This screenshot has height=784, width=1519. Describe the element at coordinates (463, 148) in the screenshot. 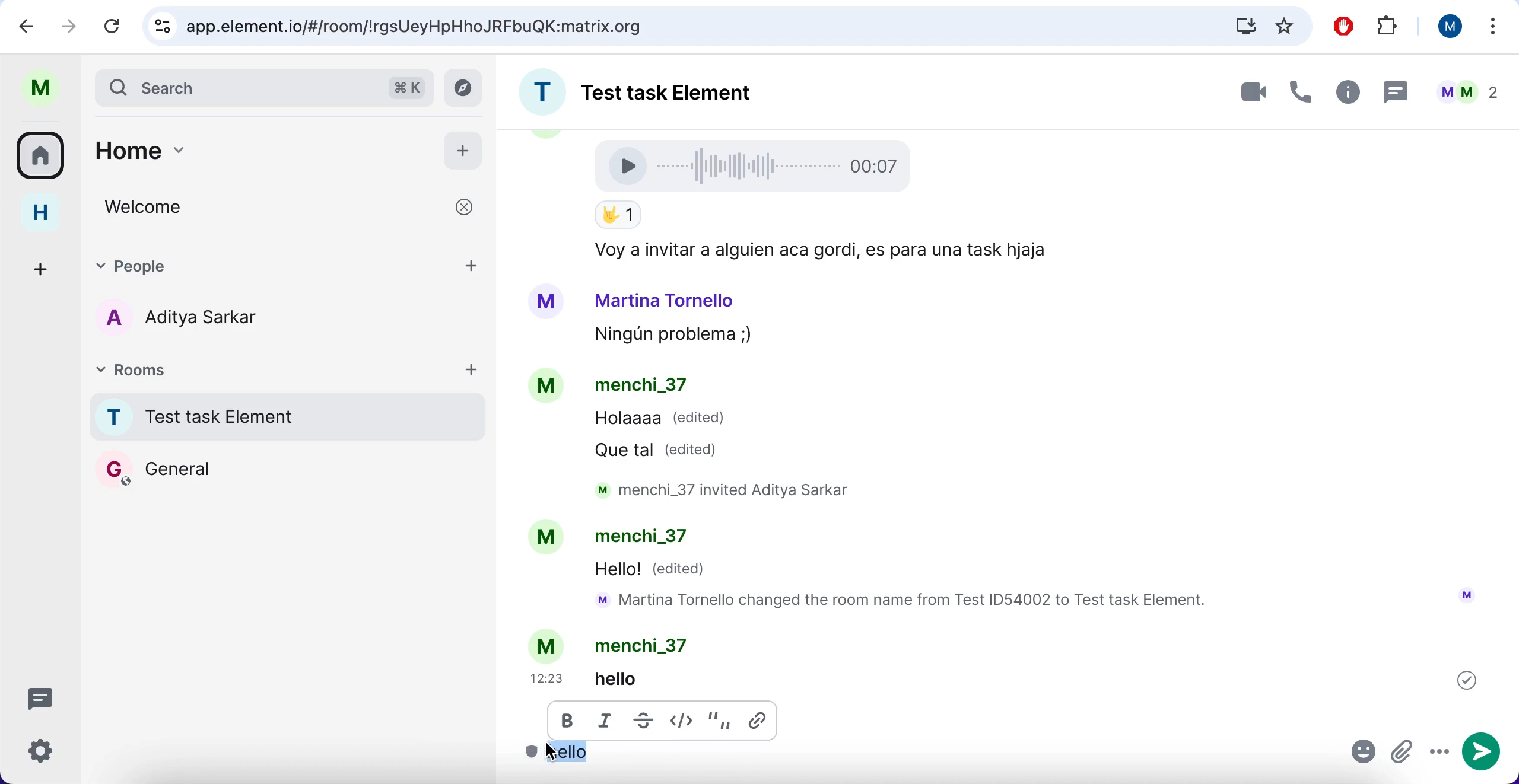

I see `add` at that location.